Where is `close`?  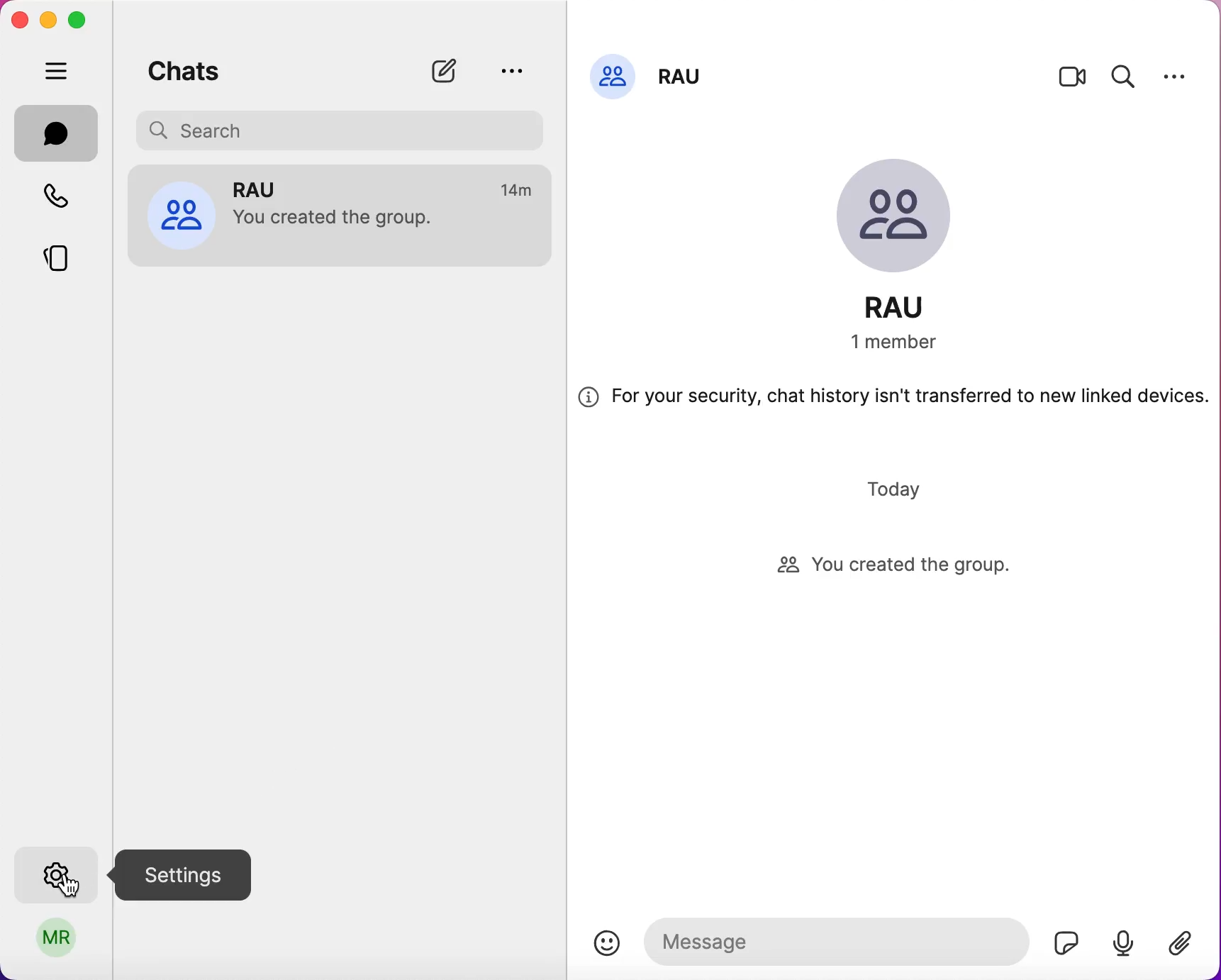
close is located at coordinates (20, 18).